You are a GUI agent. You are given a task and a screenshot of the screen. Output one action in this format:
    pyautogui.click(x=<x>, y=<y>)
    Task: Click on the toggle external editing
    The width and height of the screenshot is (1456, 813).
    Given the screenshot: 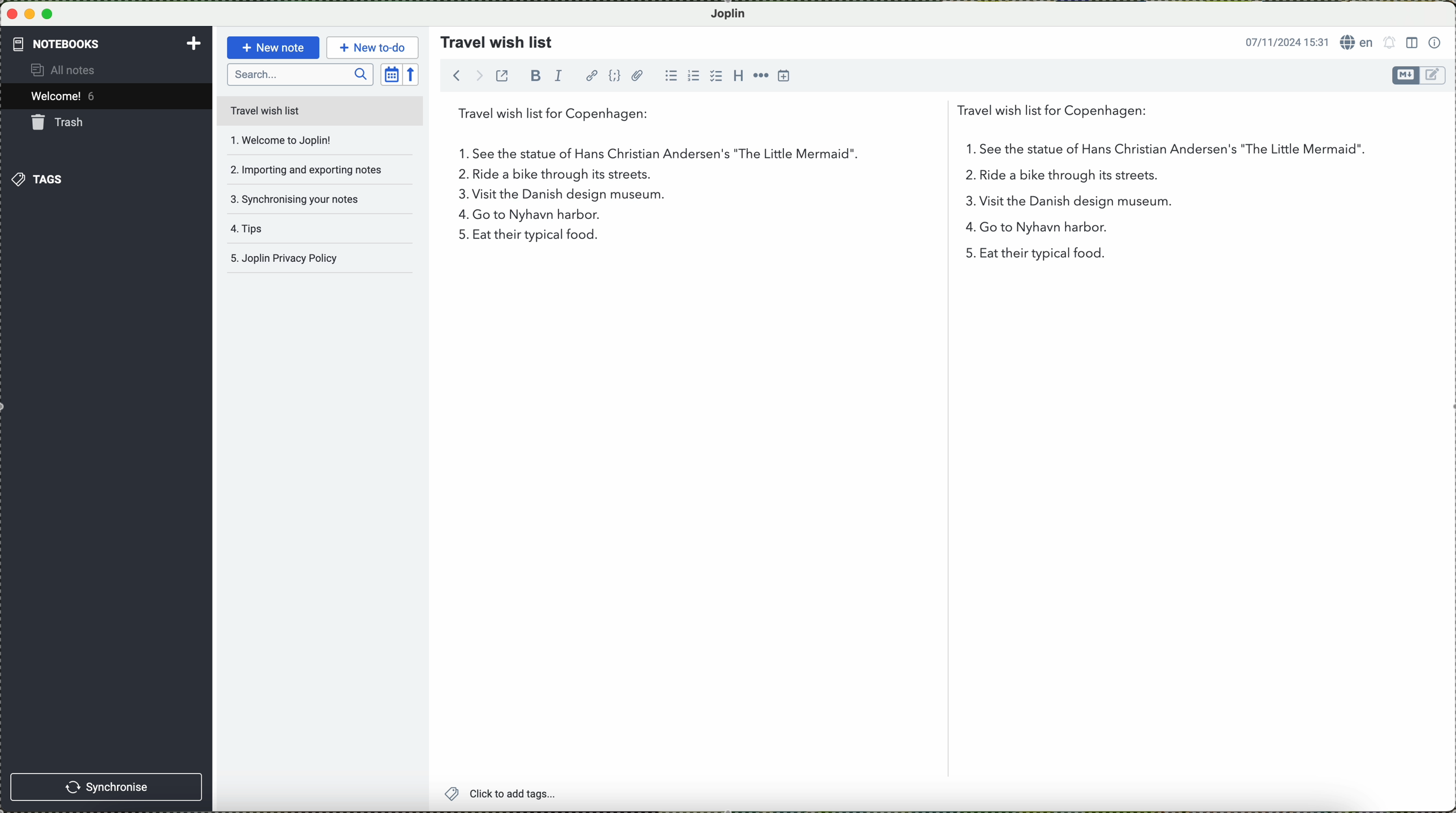 What is the action you would take?
    pyautogui.click(x=505, y=80)
    